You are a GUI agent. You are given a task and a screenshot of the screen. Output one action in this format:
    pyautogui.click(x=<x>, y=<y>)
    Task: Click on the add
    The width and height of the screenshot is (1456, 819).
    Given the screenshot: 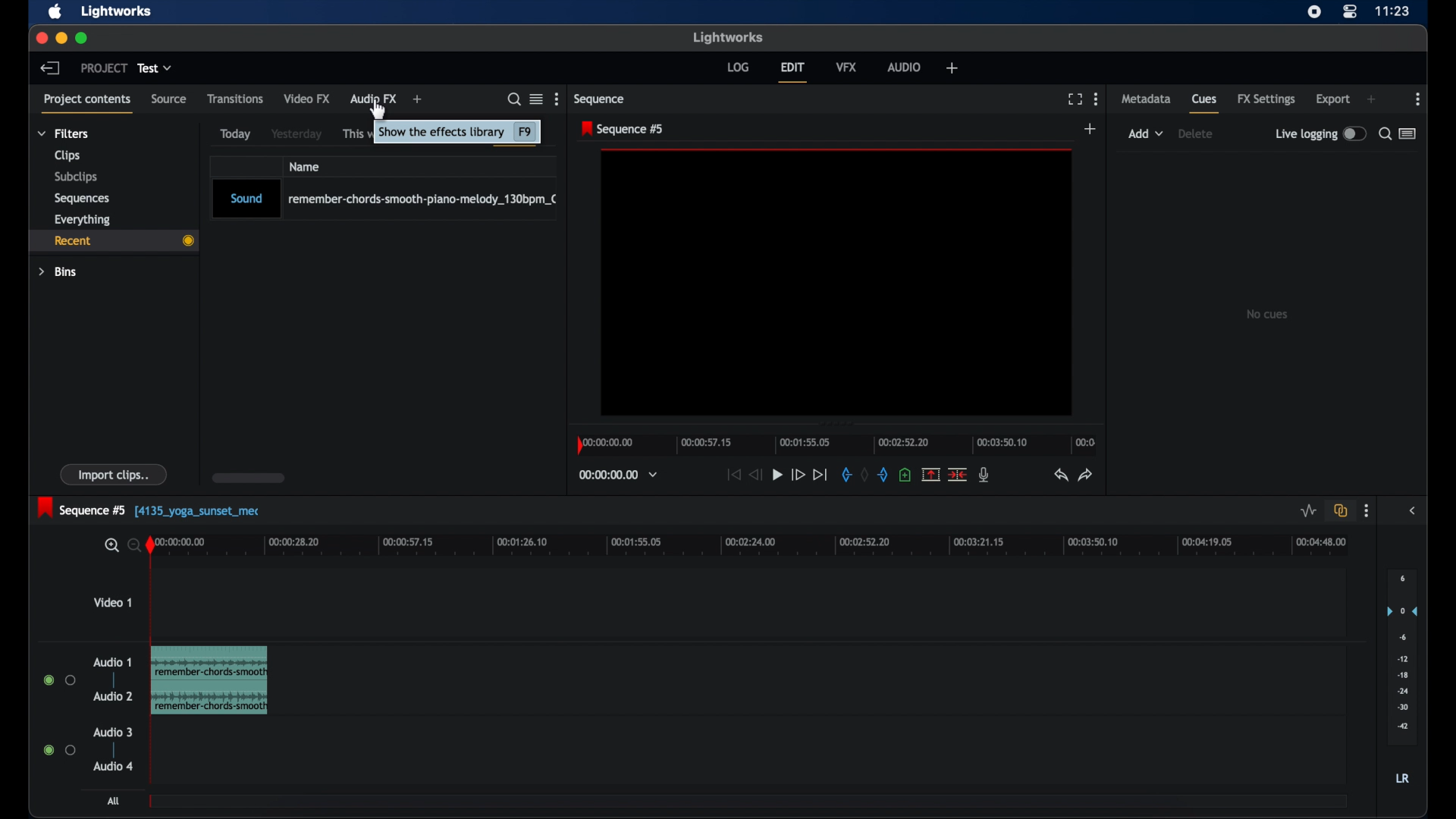 What is the action you would take?
    pyautogui.click(x=1090, y=128)
    